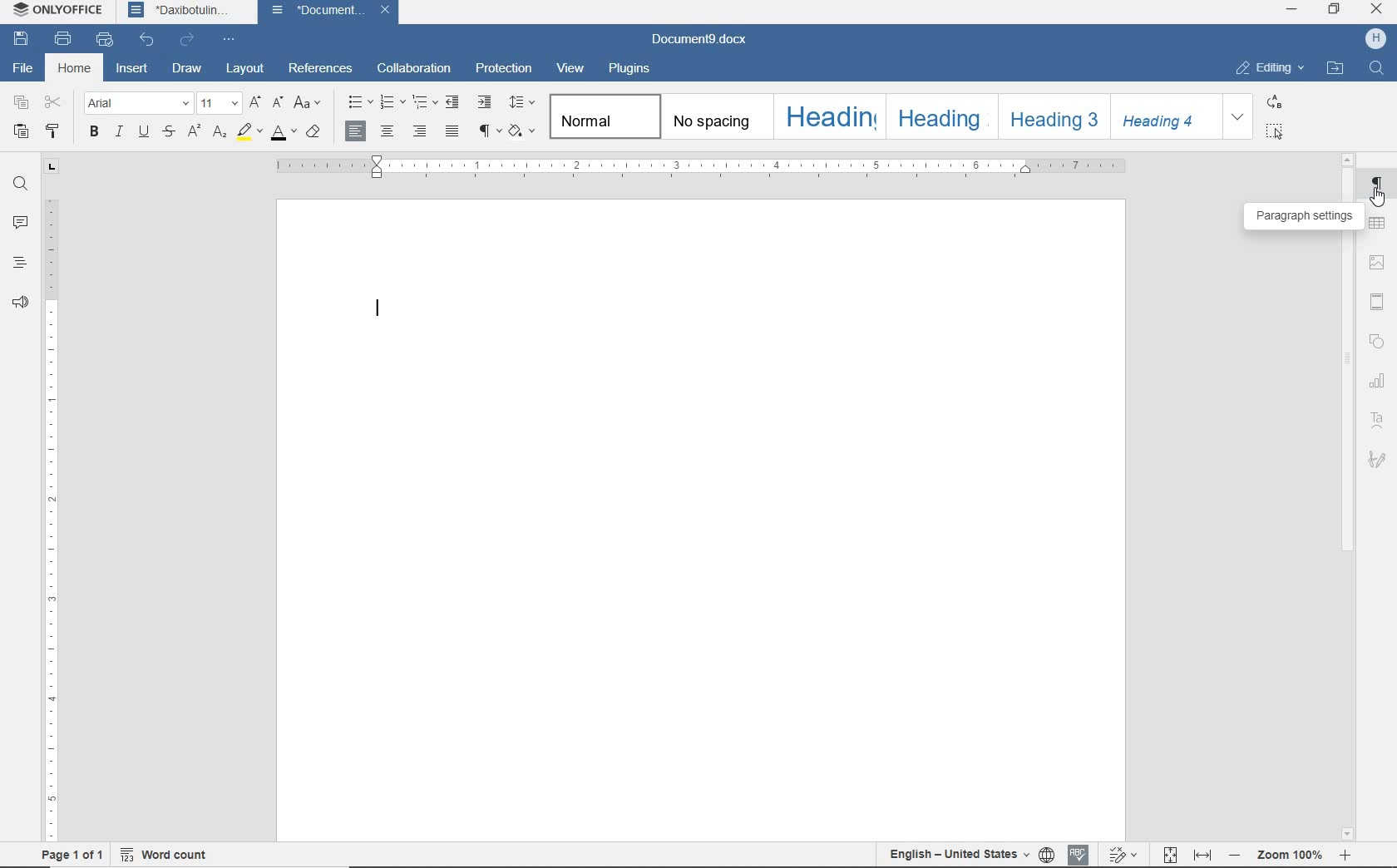 This screenshot has width=1397, height=868. What do you see at coordinates (21, 42) in the screenshot?
I see `save` at bounding box center [21, 42].